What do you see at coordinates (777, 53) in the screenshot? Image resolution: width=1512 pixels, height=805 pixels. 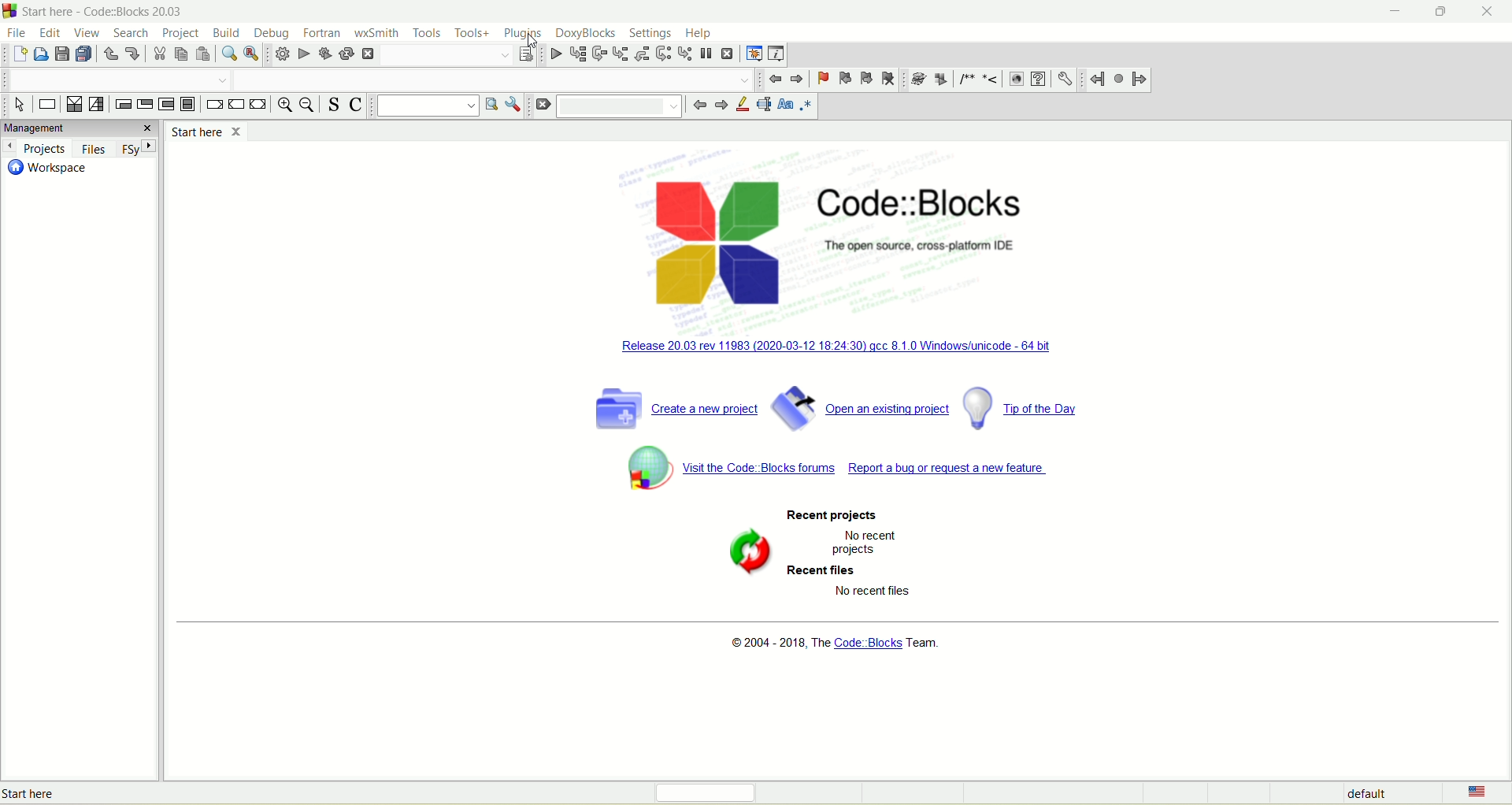 I see `various info` at bounding box center [777, 53].